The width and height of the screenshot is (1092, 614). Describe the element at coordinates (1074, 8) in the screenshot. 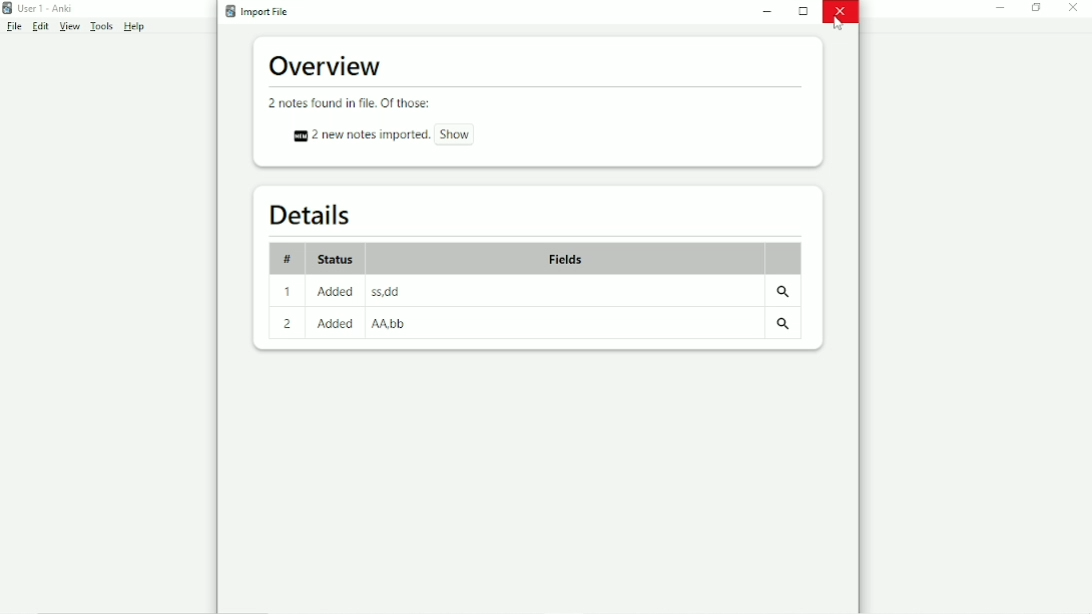

I see `Close` at that location.